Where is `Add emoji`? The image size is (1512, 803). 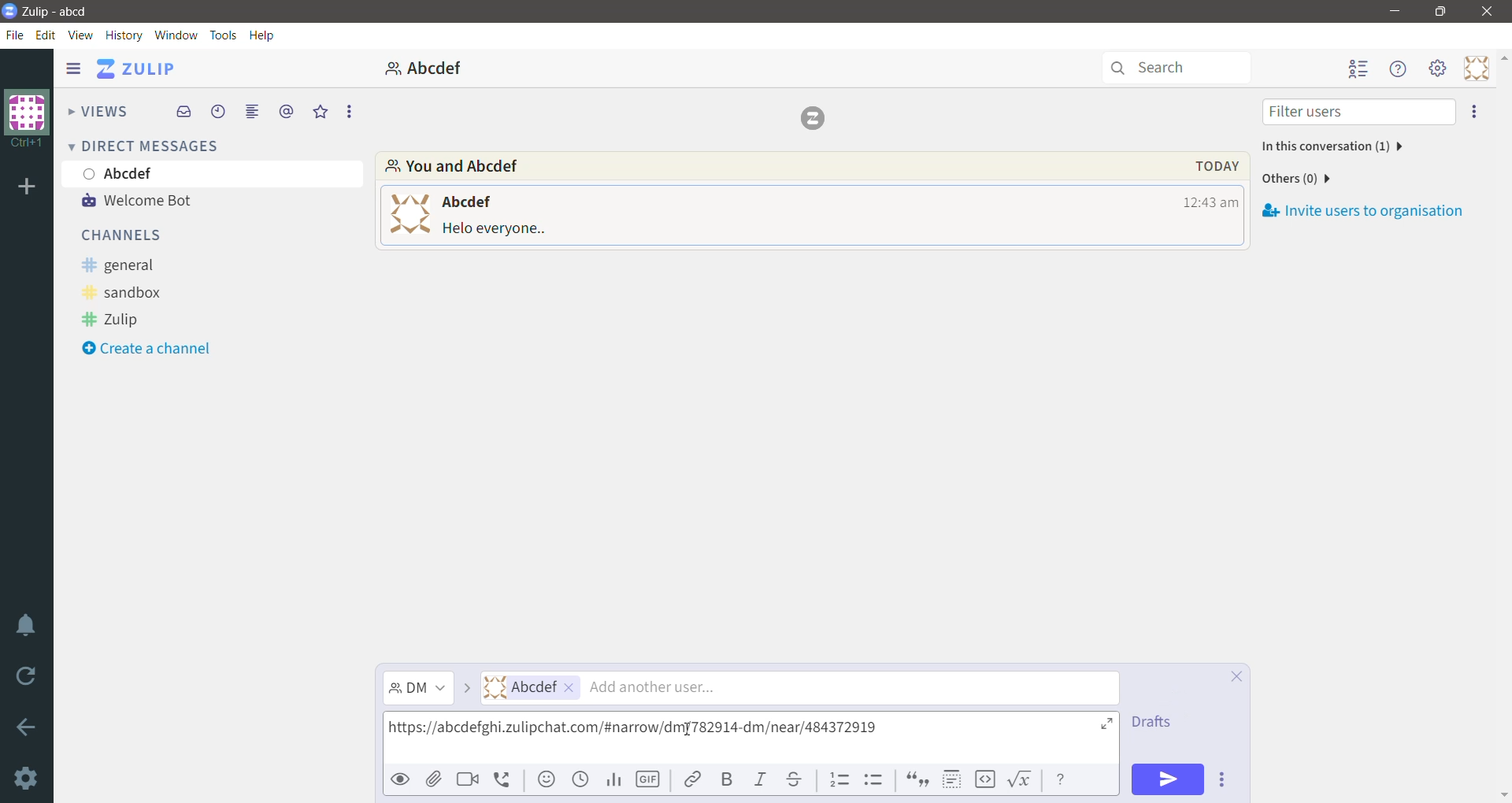
Add emoji is located at coordinates (547, 779).